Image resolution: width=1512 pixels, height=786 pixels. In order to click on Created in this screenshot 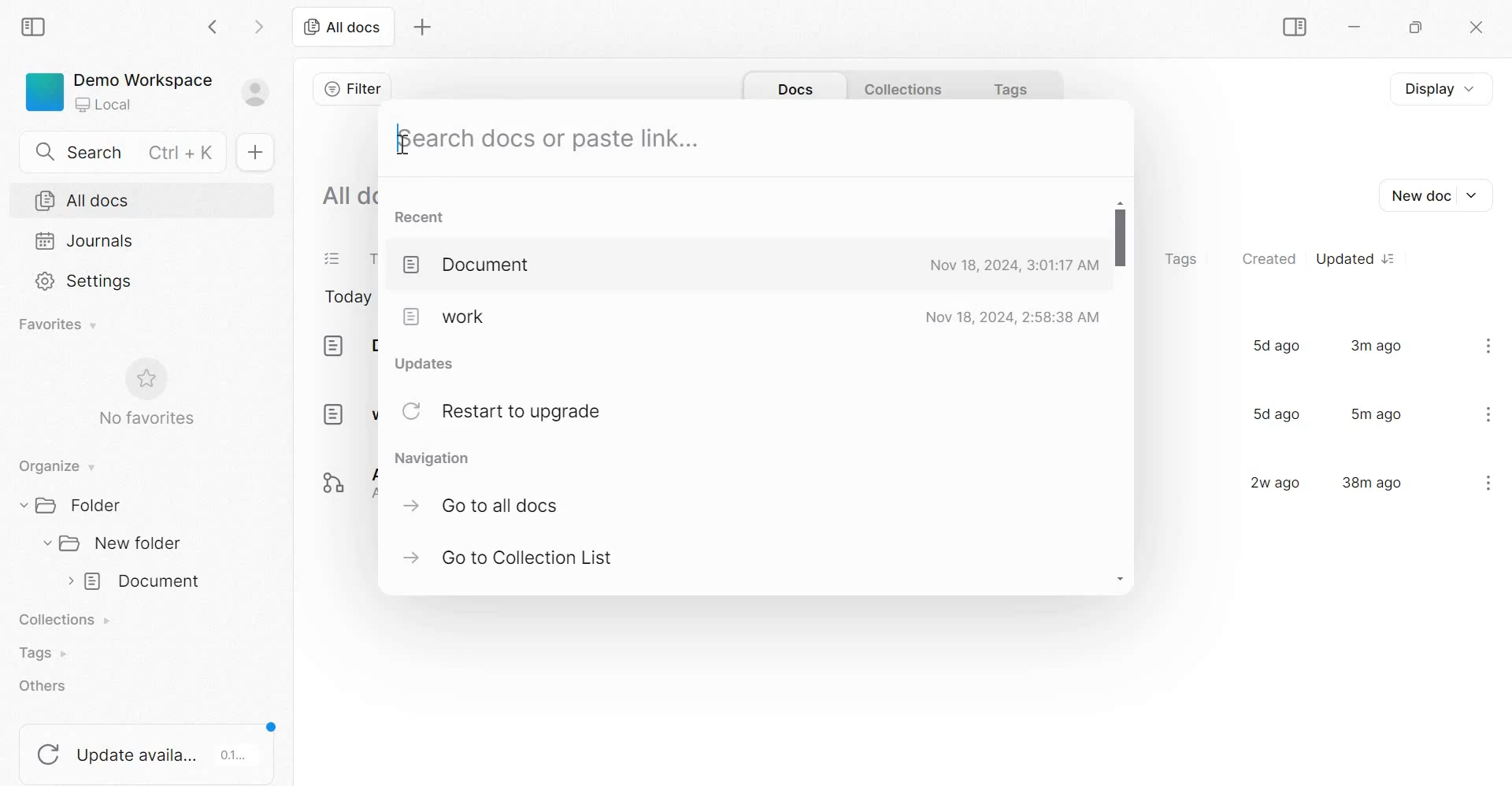, I will do `click(1269, 258)`.